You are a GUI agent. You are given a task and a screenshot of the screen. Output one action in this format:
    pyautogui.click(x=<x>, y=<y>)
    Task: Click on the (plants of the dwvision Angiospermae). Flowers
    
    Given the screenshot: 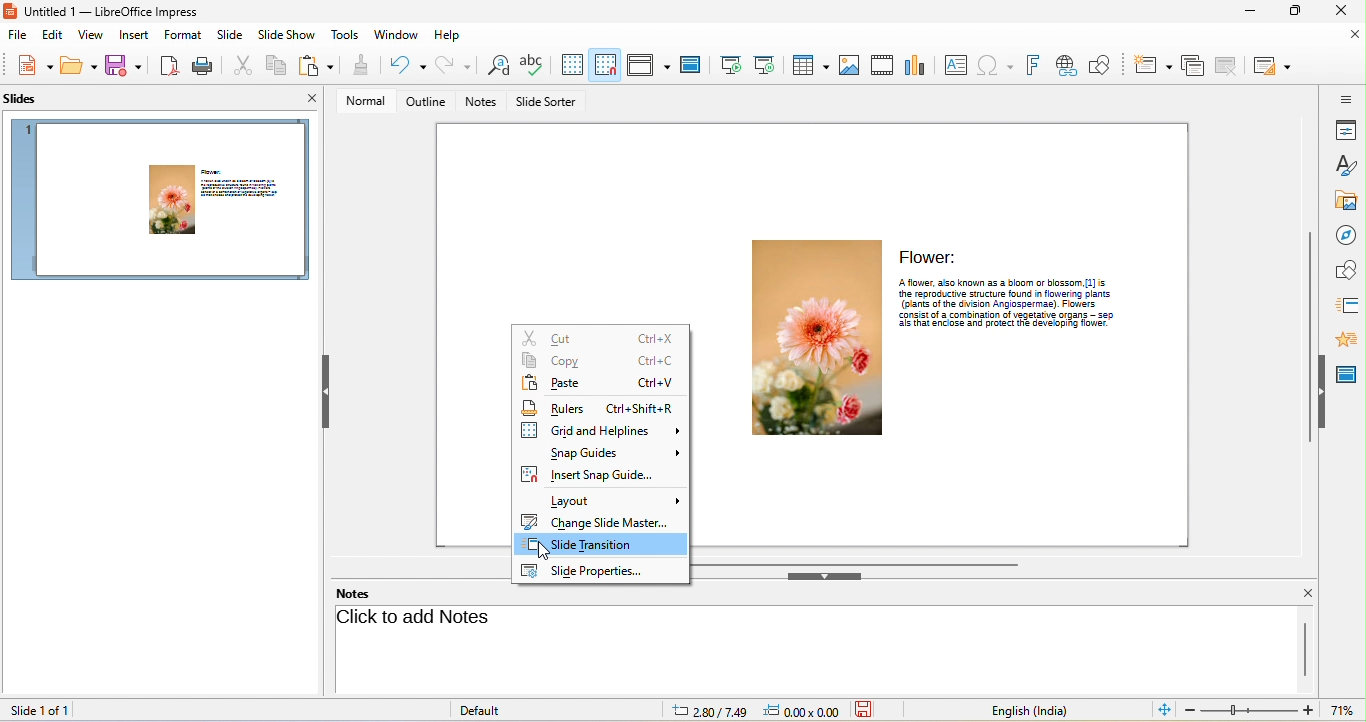 What is the action you would take?
    pyautogui.click(x=997, y=304)
    